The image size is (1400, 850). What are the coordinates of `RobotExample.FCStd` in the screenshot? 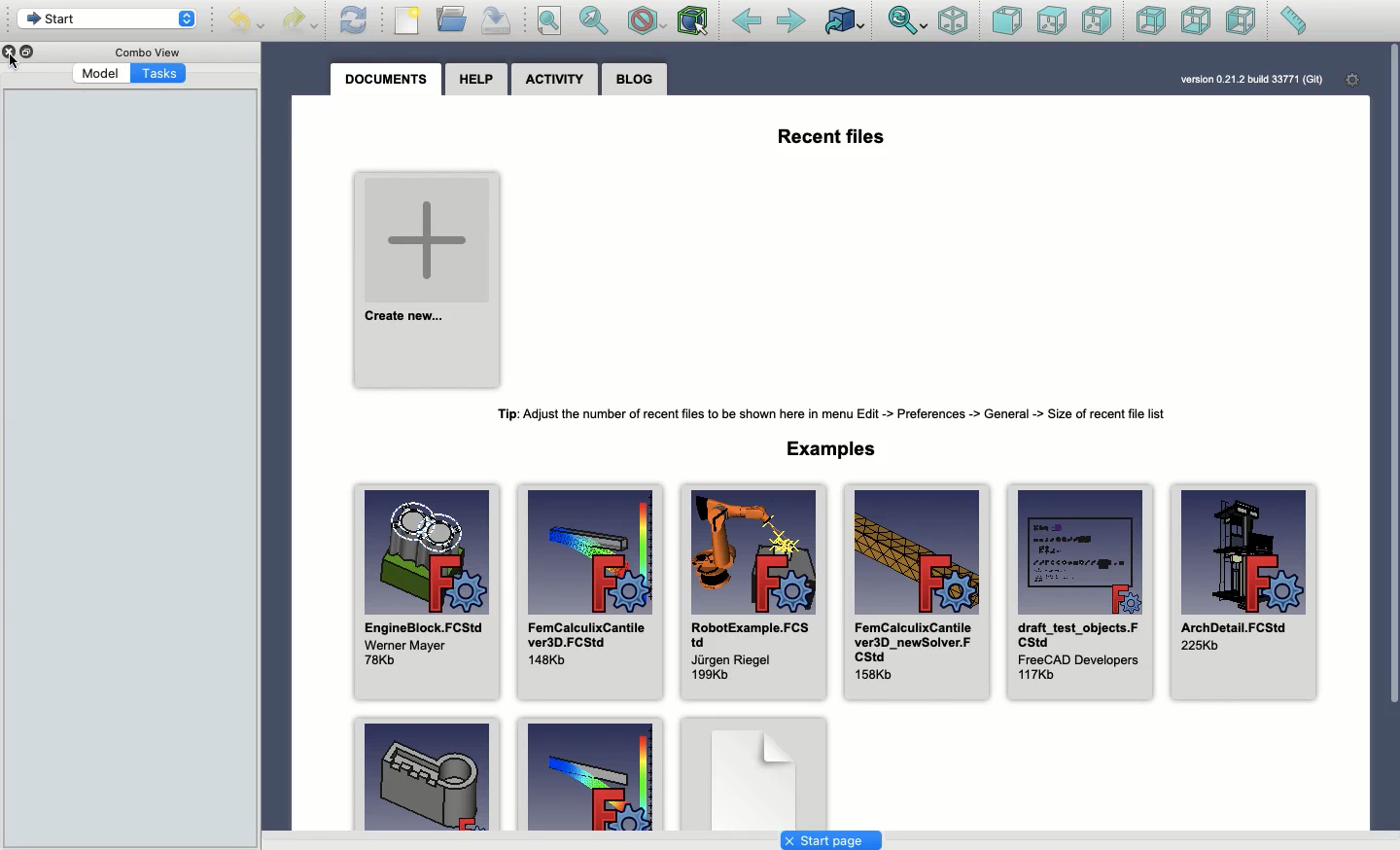 It's located at (752, 593).